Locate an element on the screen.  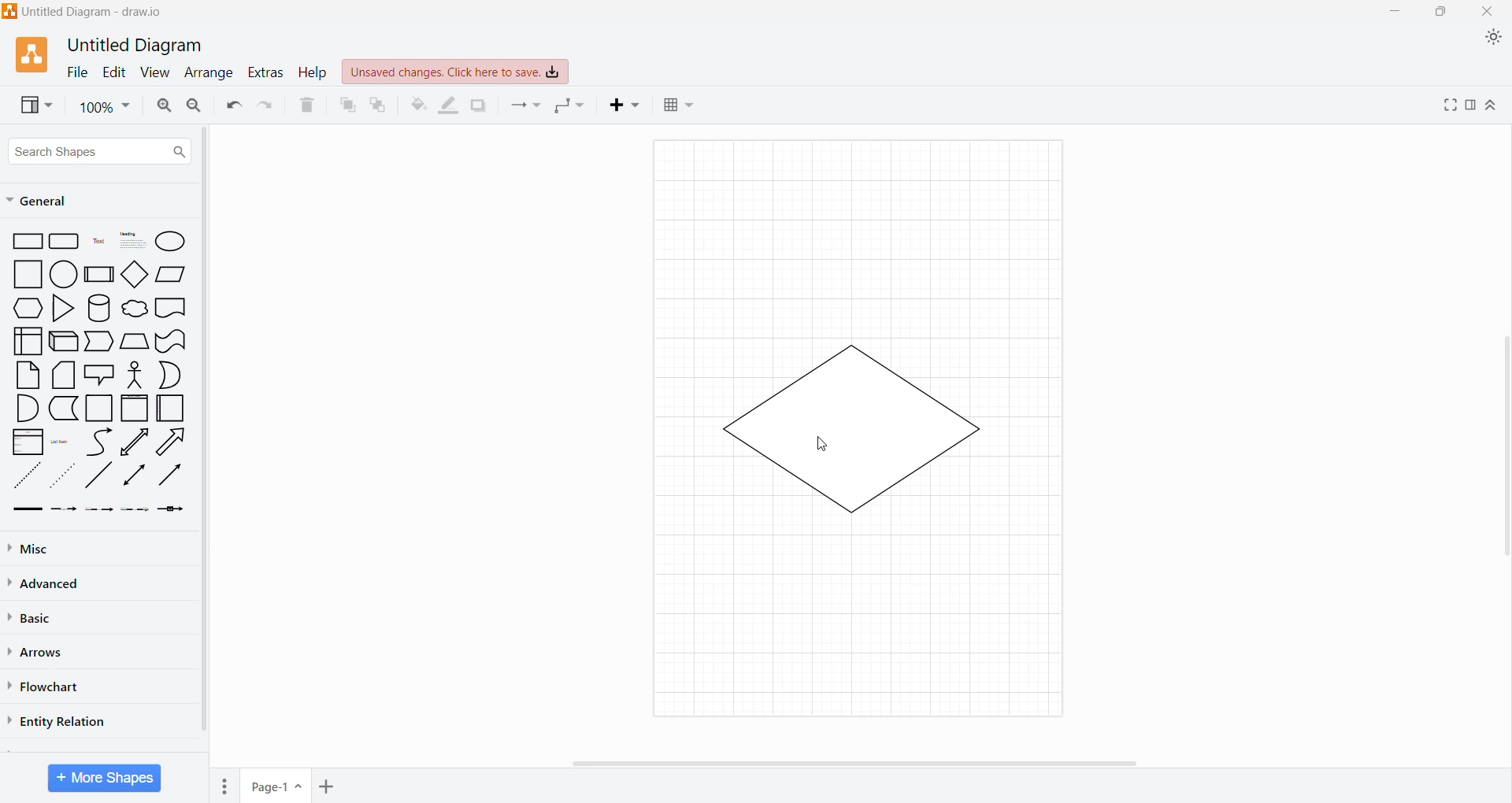
Hexagon is located at coordinates (28, 308).